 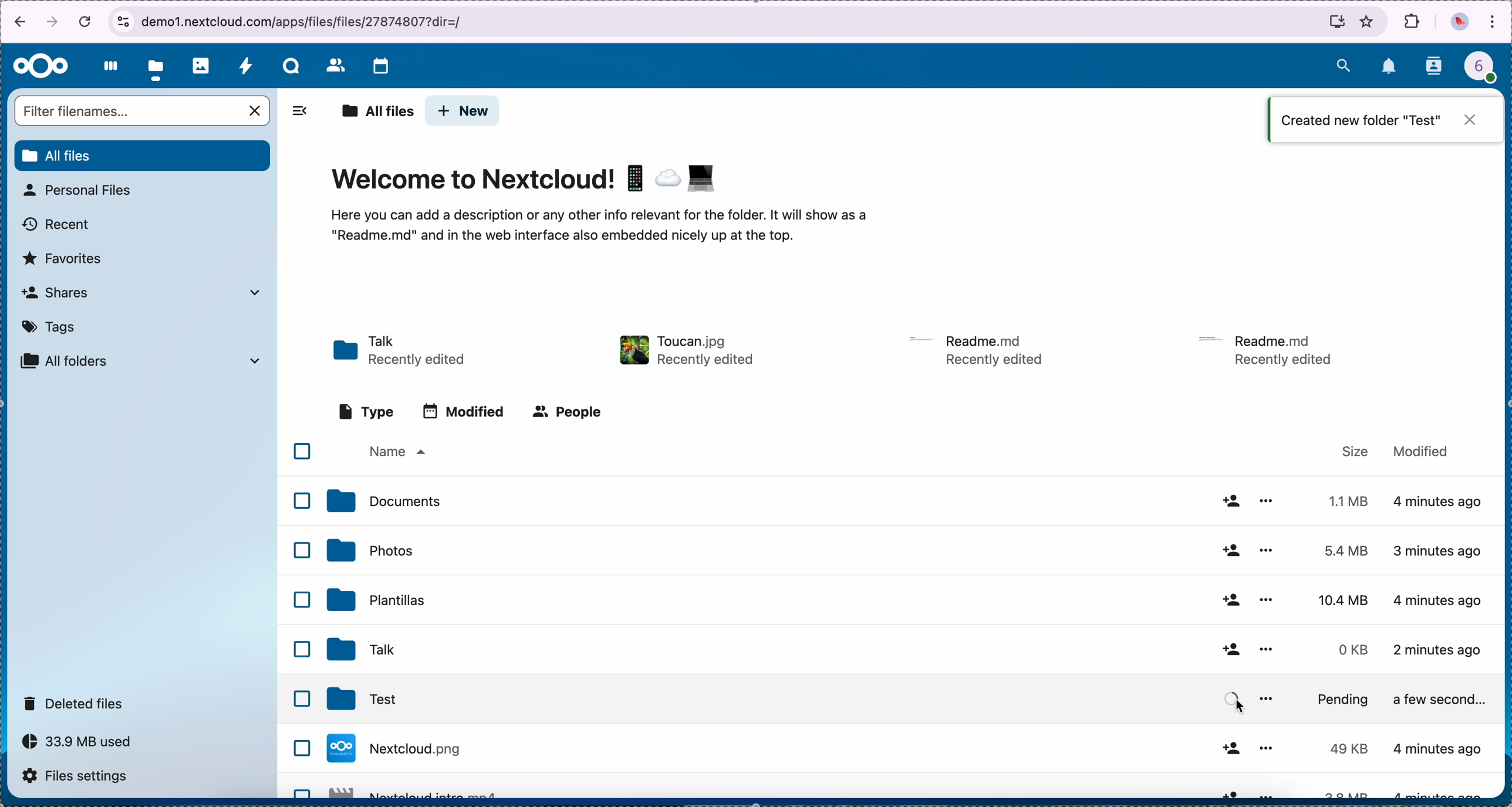 What do you see at coordinates (1413, 21) in the screenshot?
I see `extensions` at bounding box center [1413, 21].